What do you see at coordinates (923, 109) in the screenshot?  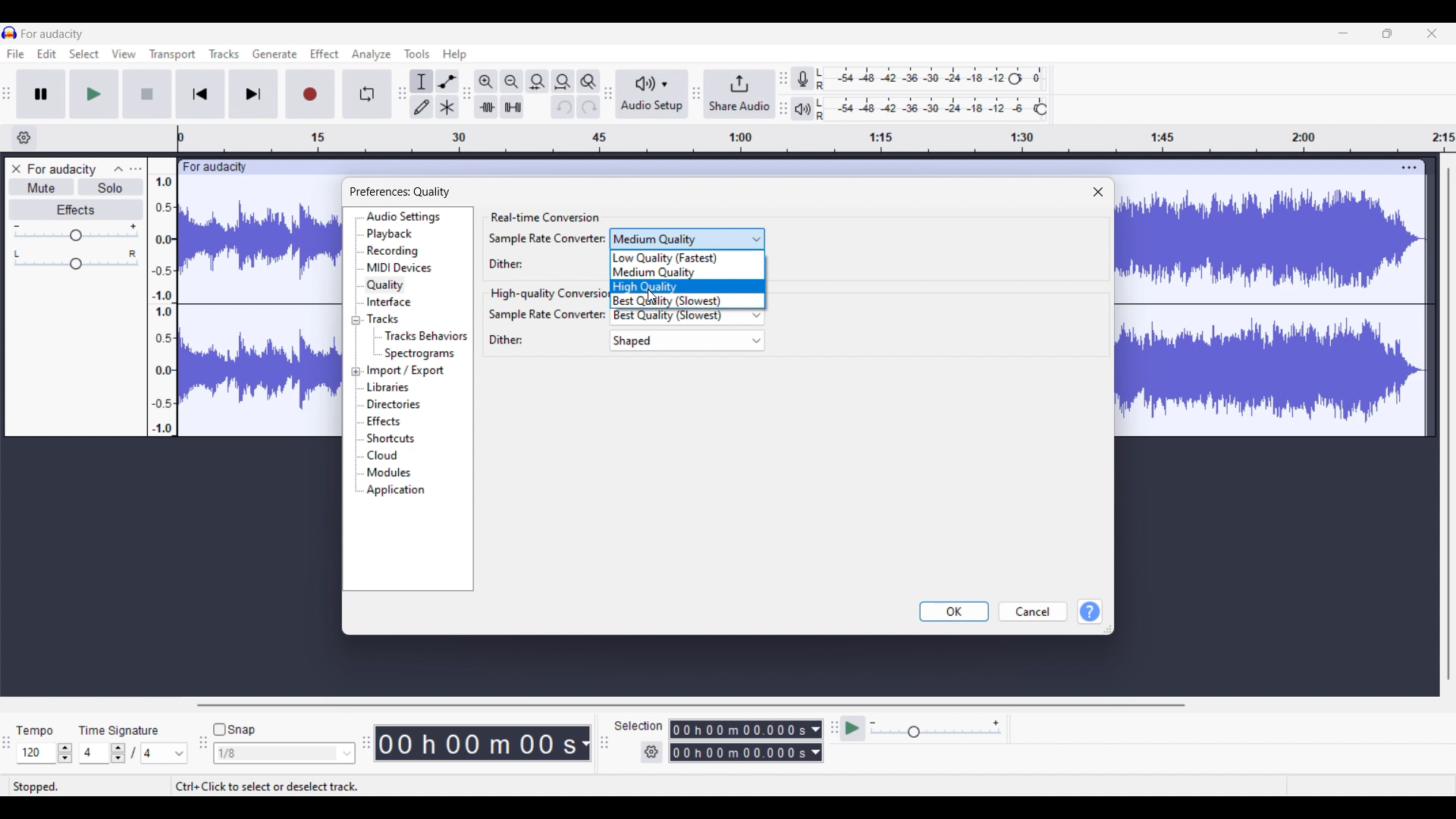 I see `Playback level` at bounding box center [923, 109].